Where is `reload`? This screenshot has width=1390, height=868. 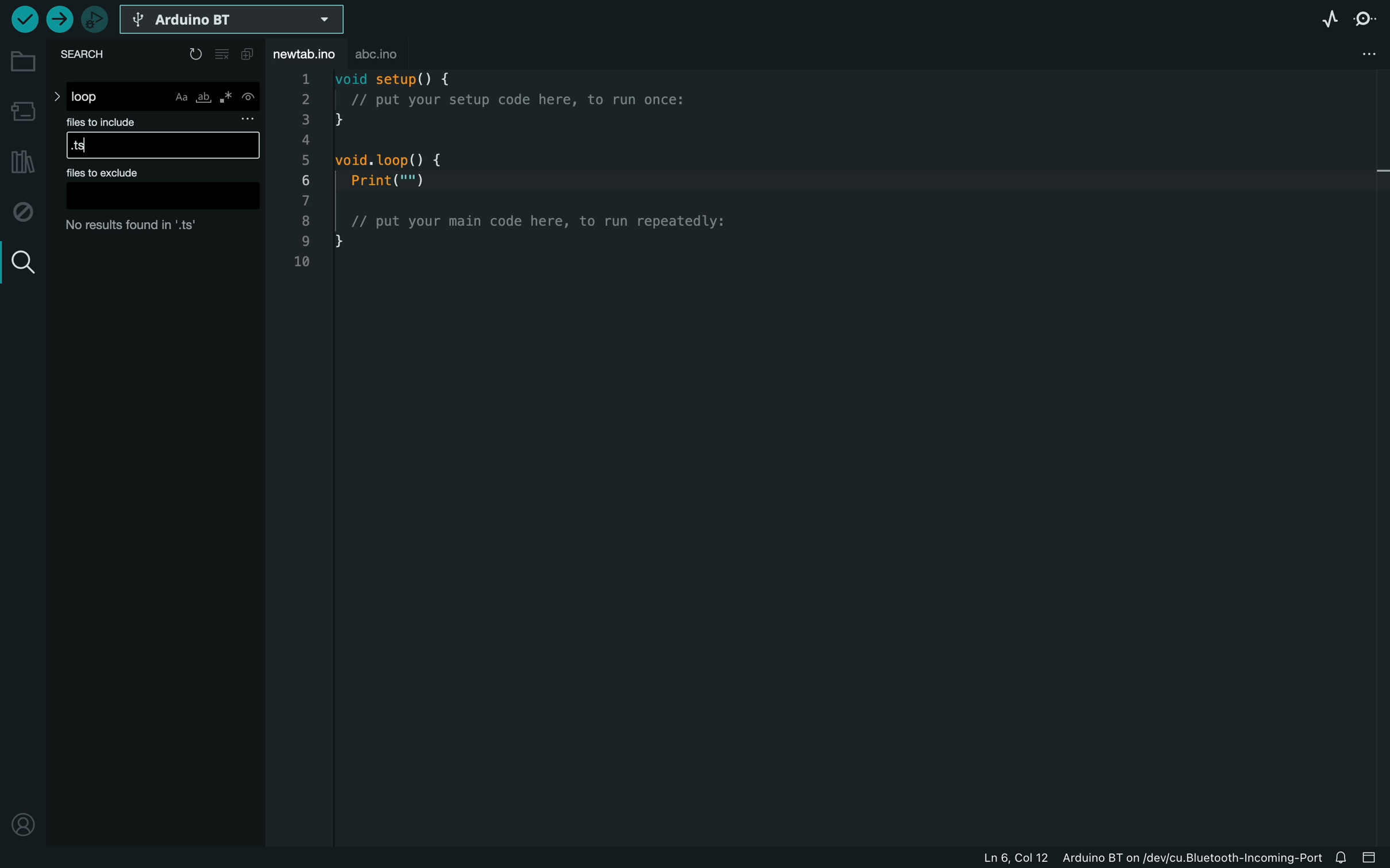
reload is located at coordinates (196, 54).